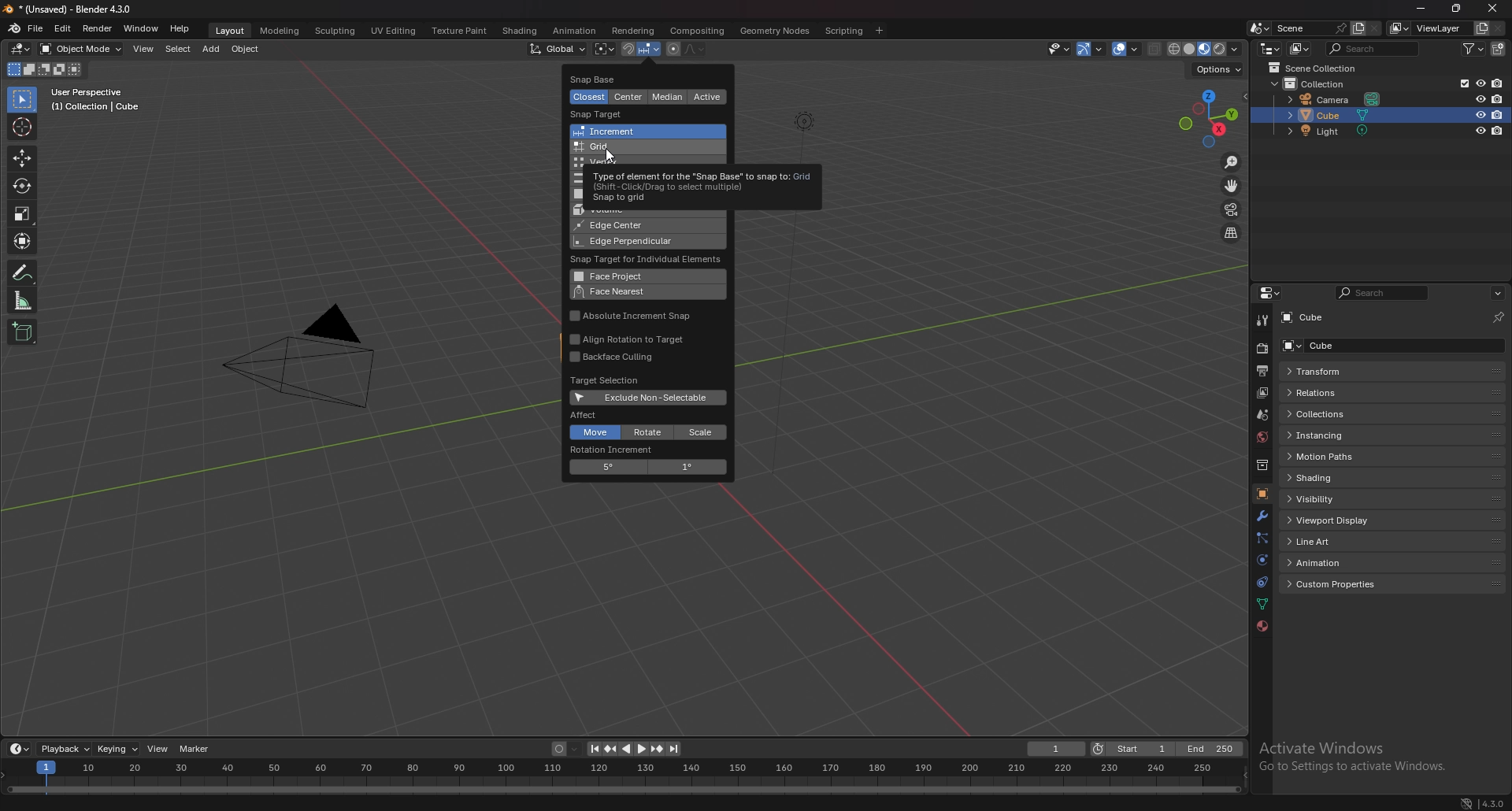 The image size is (1512, 811). What do you see at coordinates (1208, 750) in the screenshot?
I see `end` at bounding box center [1208, 750].